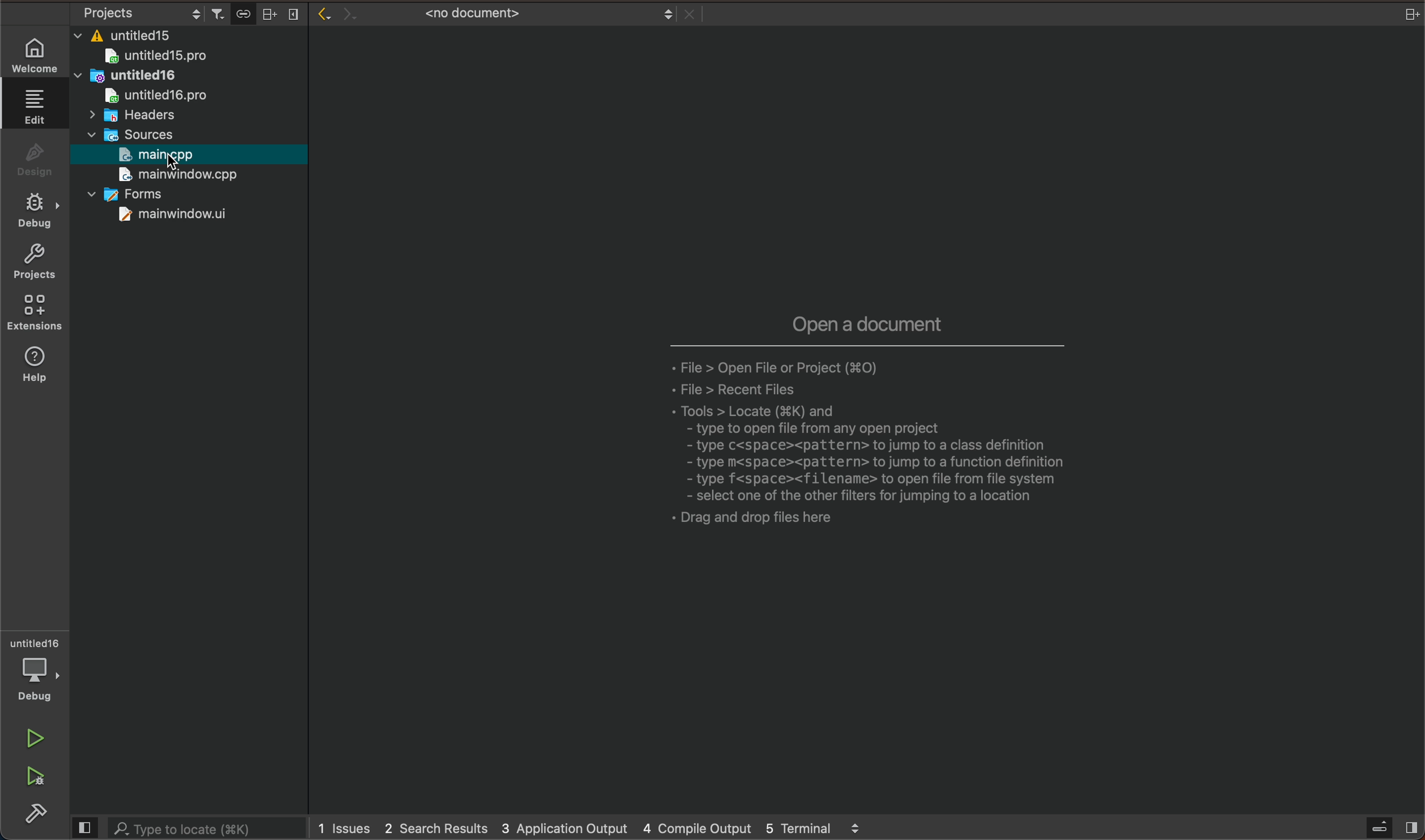 The height and width of the screenshot is (840, 1425). What do you see at coordinates (144, 196) in the screenshot?
I see `forms` at bounding box center [144, 196].